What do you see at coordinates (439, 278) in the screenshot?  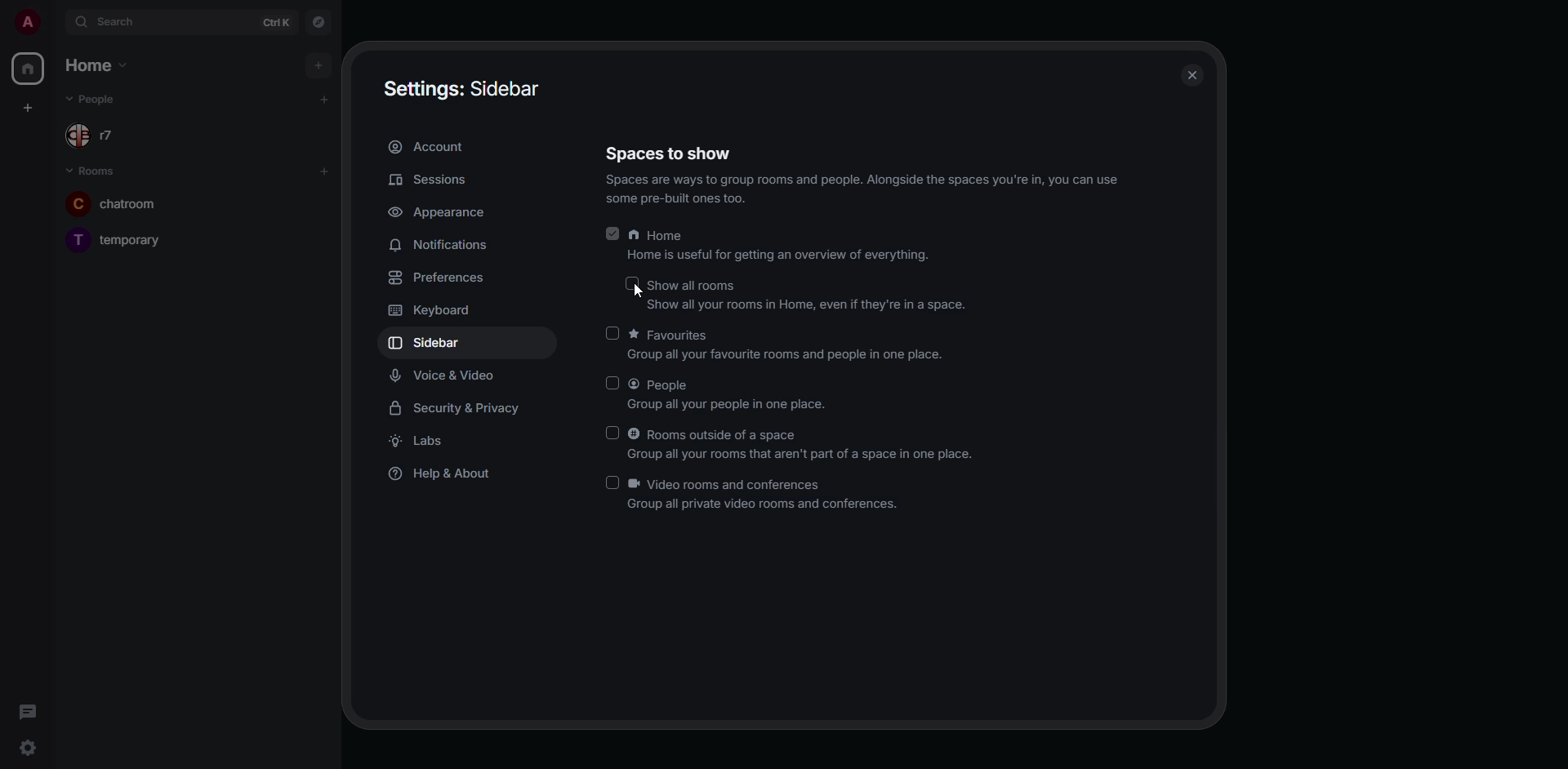 I see `preferences` at bounding box center [439, 278].